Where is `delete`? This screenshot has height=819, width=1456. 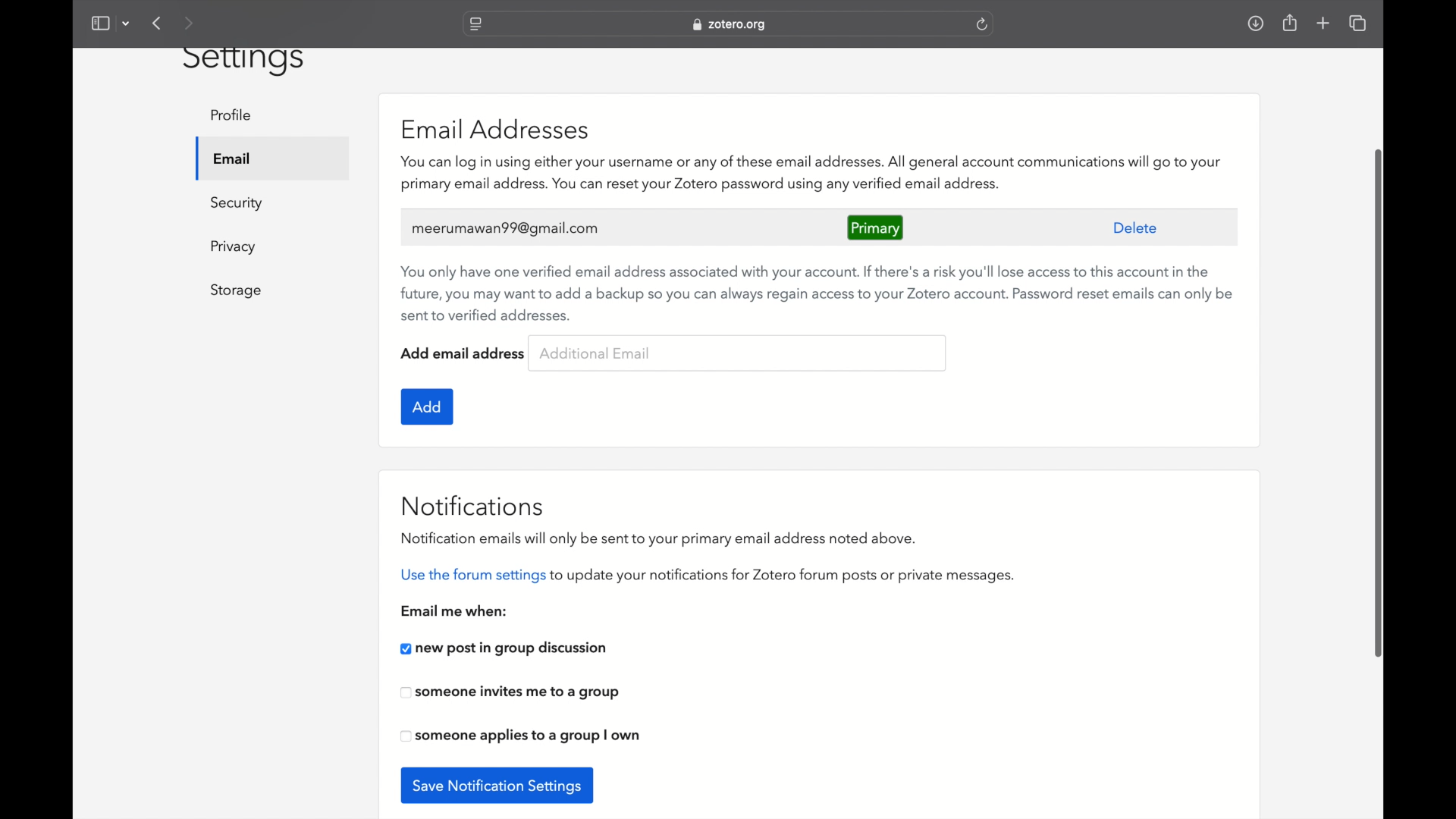
delete is located at coordinates (1135, 227).